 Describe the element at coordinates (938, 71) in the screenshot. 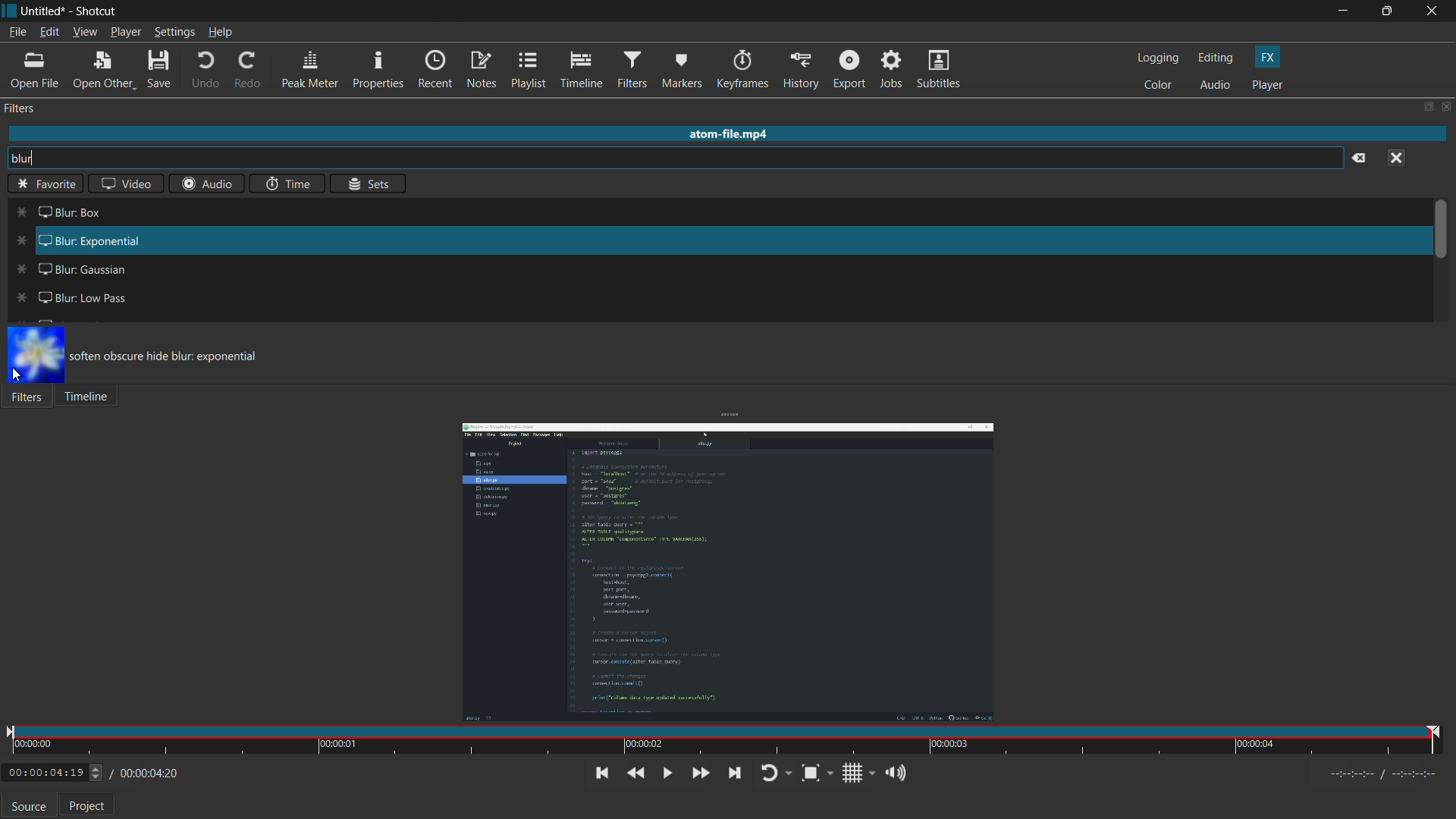

I see `subtitles` at that location.